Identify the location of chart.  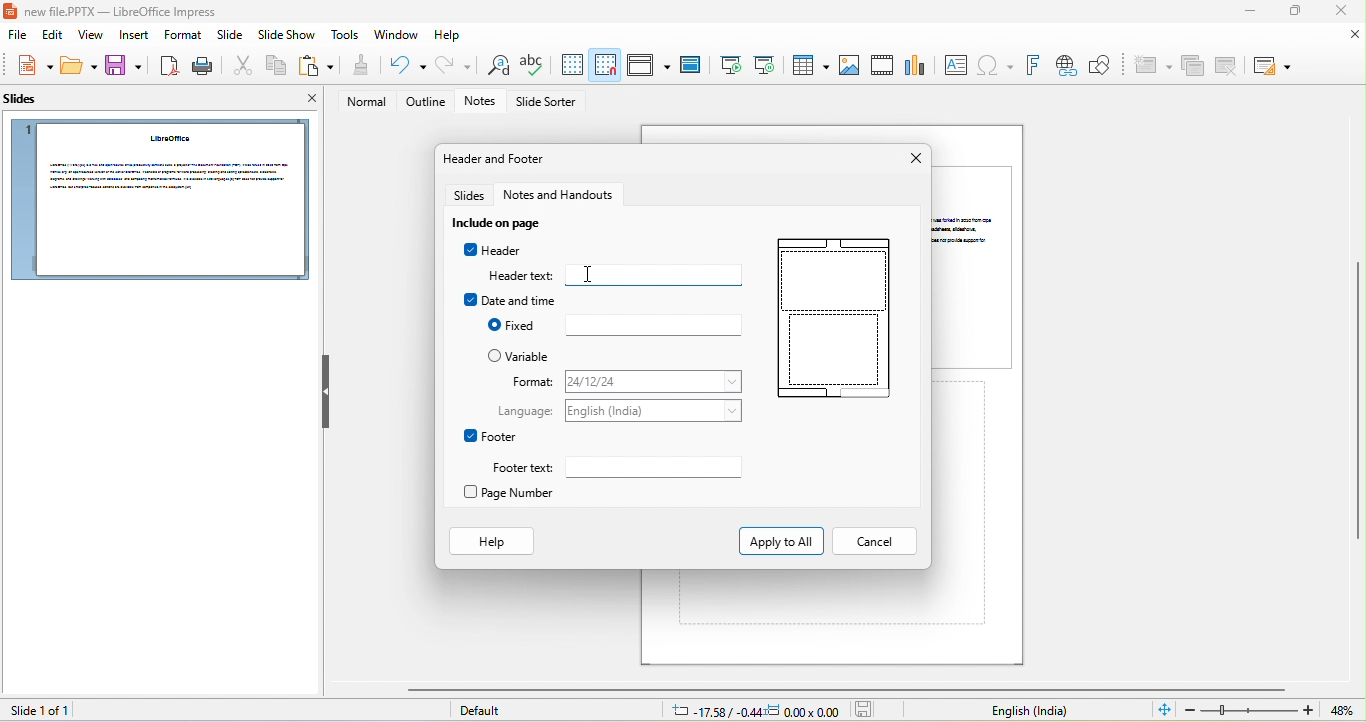
(917, 63).